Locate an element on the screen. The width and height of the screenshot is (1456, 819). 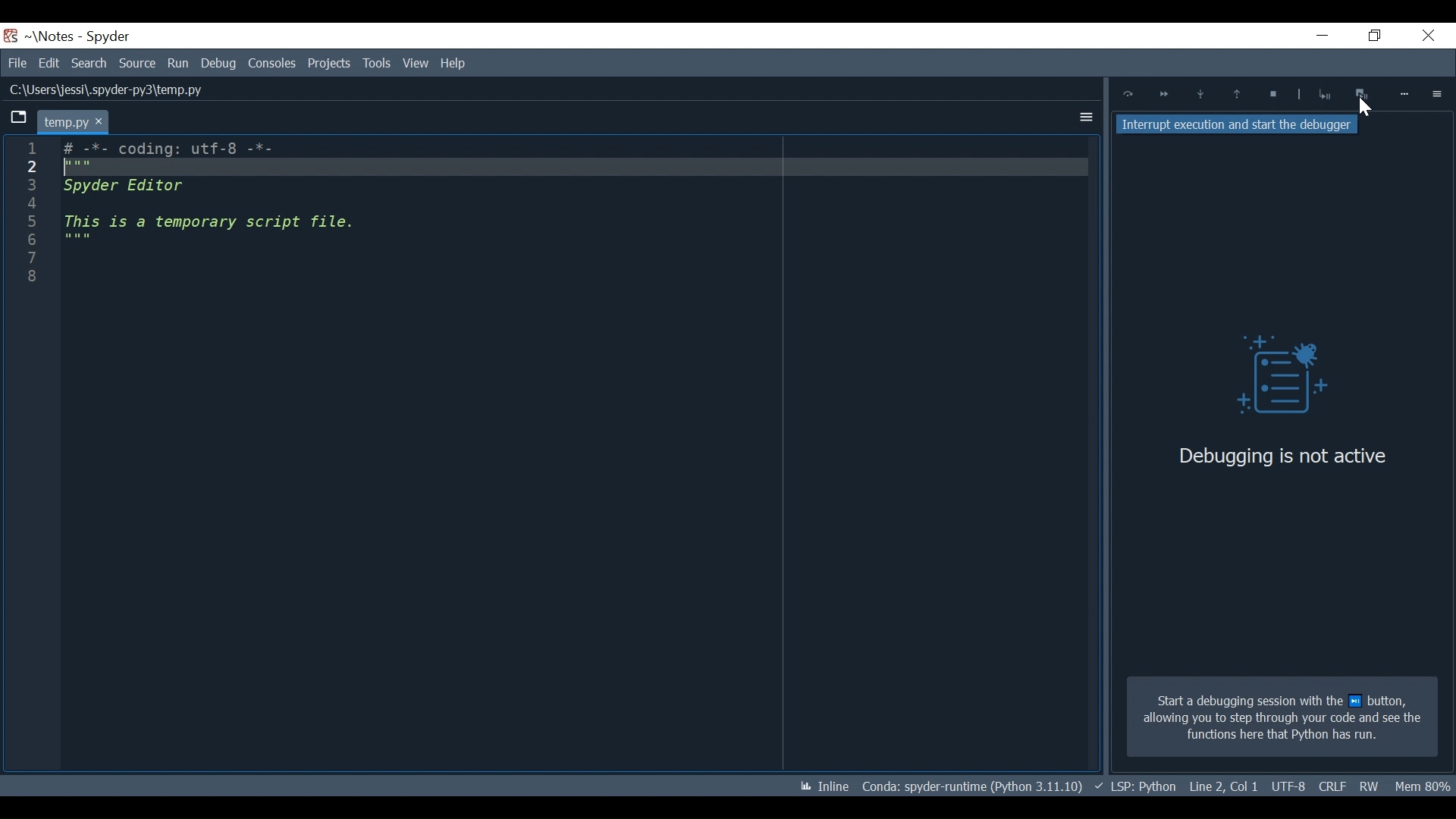
Cursor Position is located at coordinates (1288, 787).